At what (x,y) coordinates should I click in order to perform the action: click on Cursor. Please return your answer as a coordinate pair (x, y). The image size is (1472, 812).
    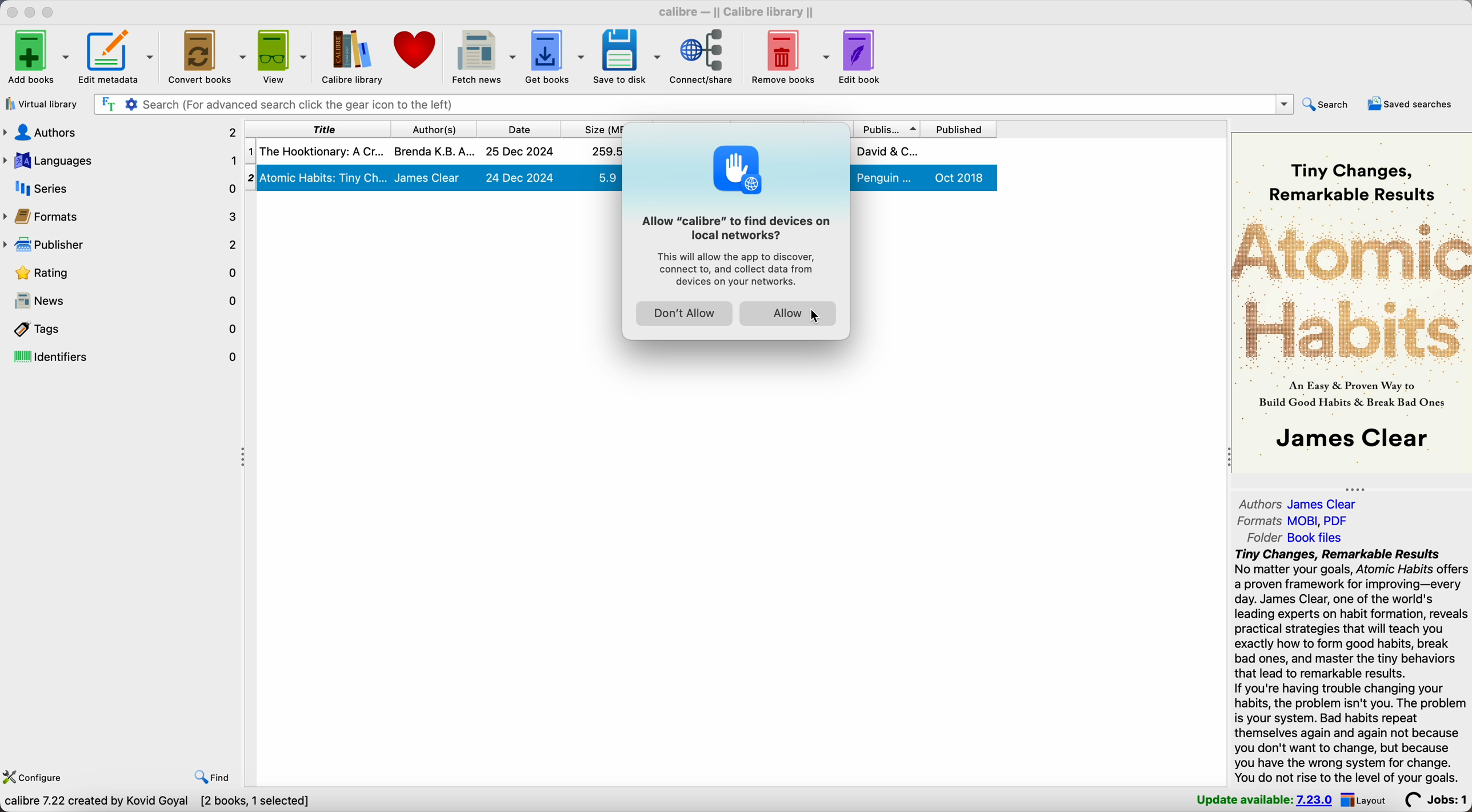
    Looking at the image, I should click on (813, 315).